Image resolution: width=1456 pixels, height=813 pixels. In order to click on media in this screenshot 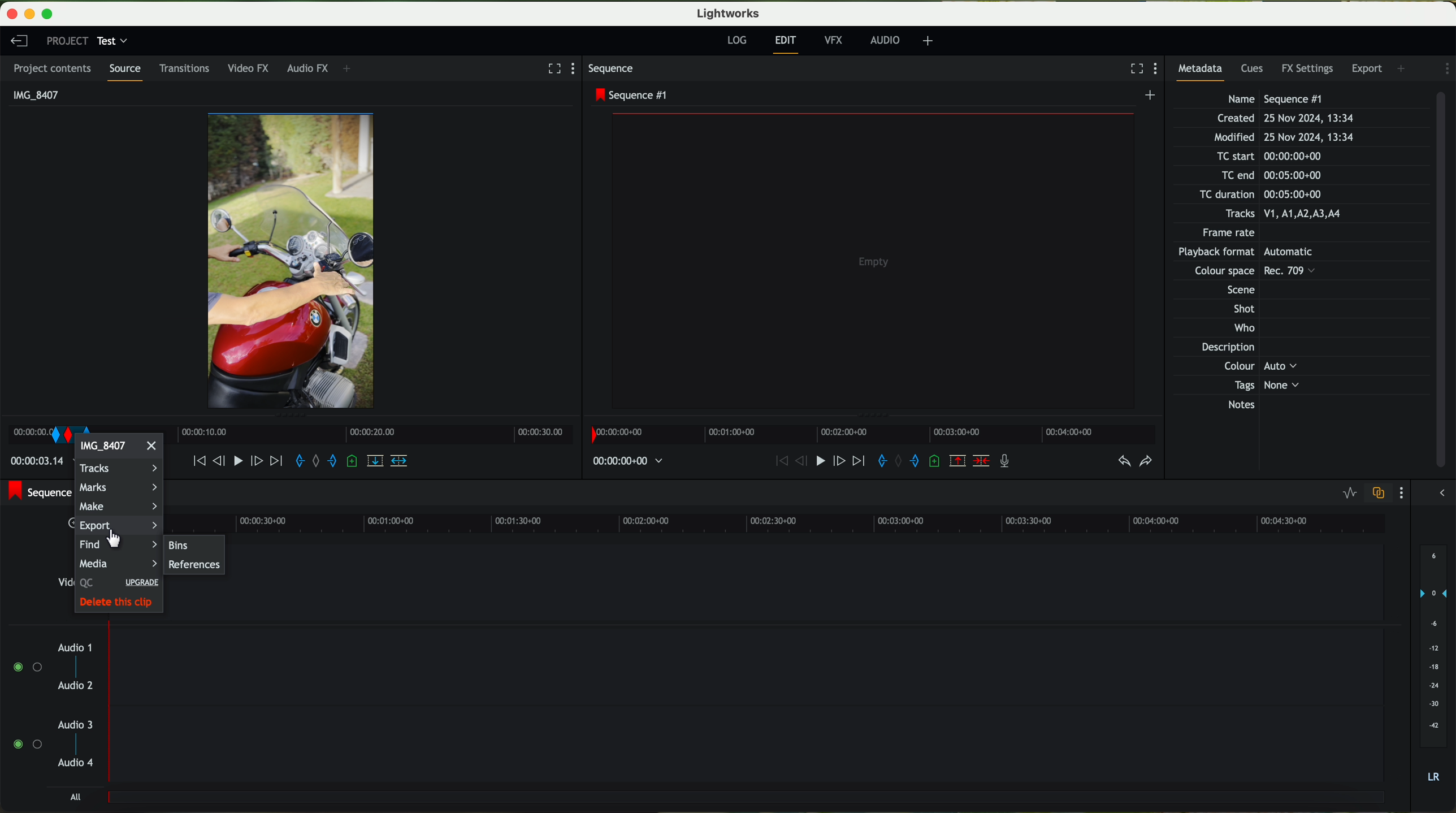, I will do `click(118, 563)`.